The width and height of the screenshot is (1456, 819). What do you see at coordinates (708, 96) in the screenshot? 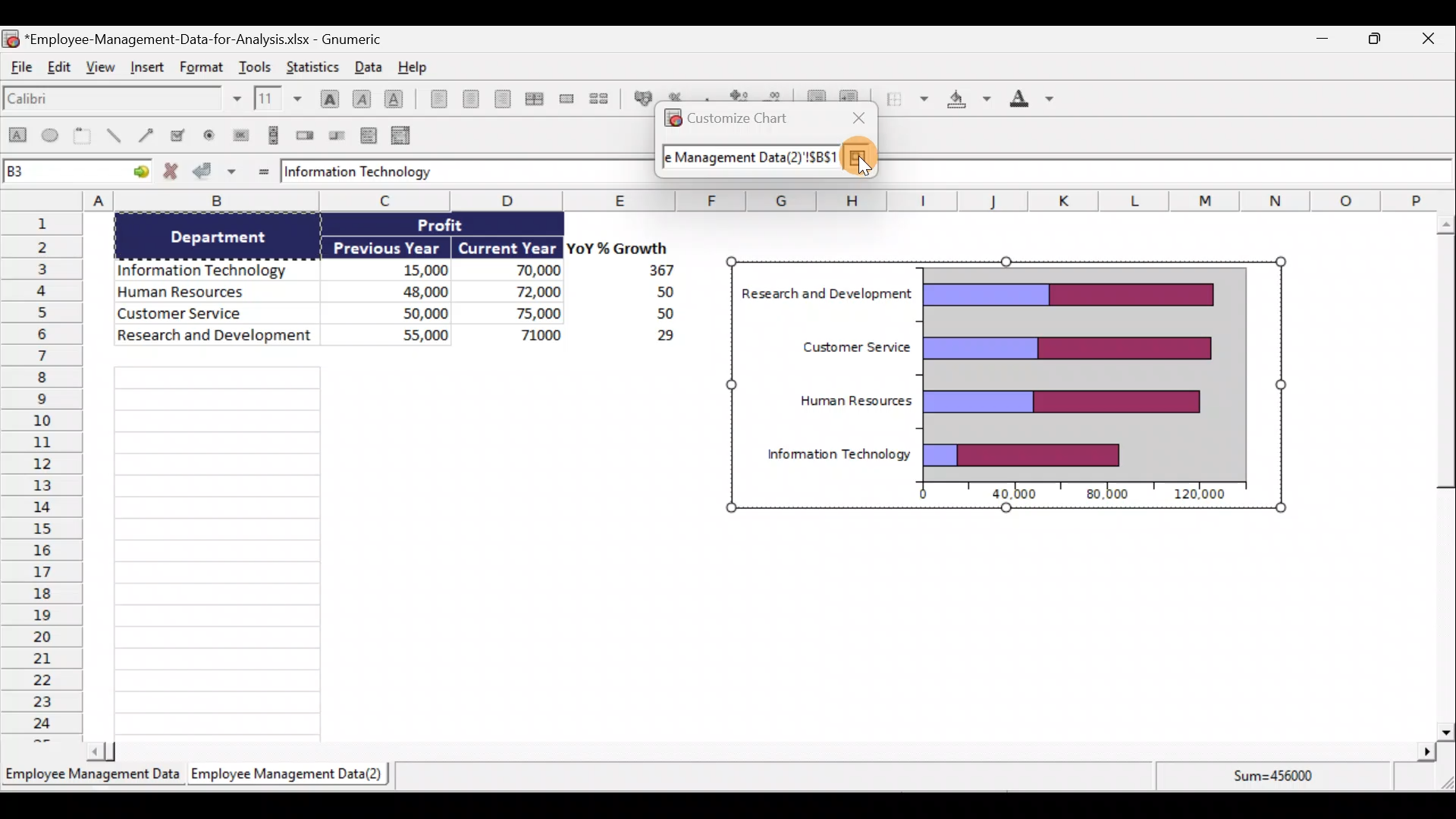
I see `Include a thousands separator` at bounding box center [708, 96].